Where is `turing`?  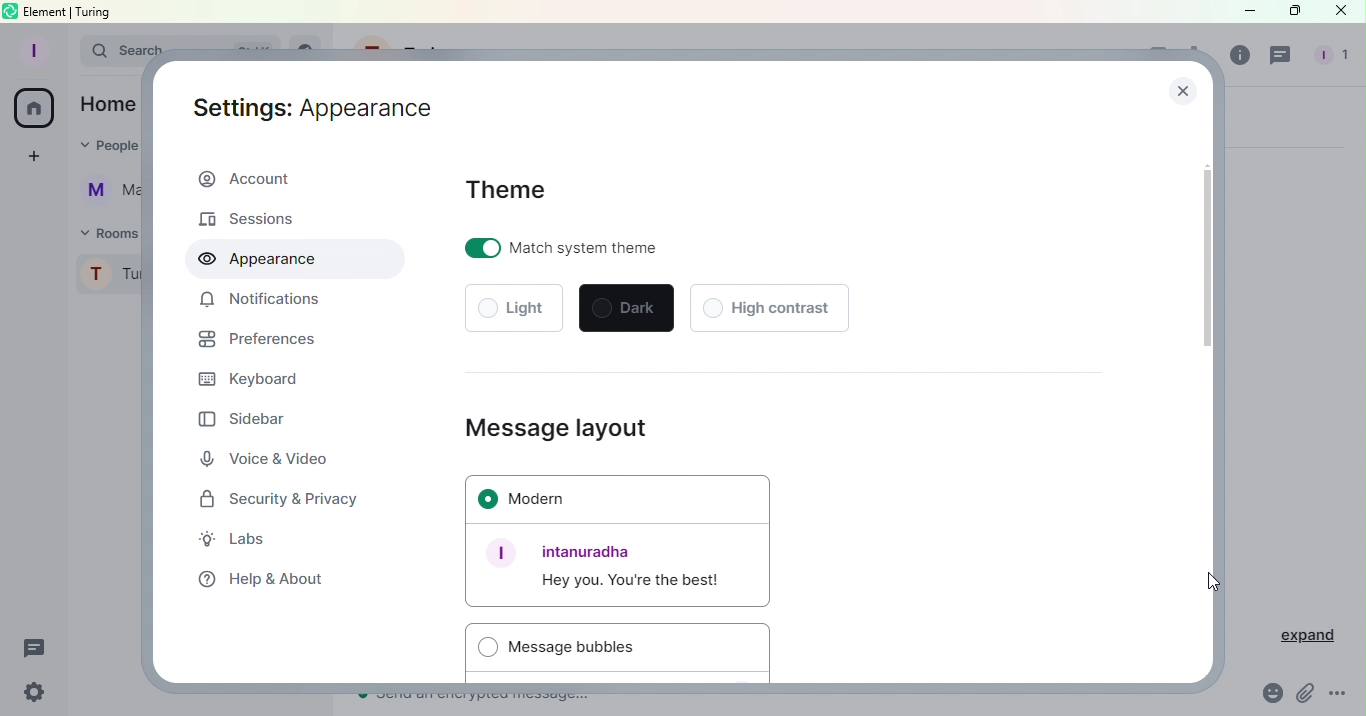
turing is located at coordinates (97, 12).